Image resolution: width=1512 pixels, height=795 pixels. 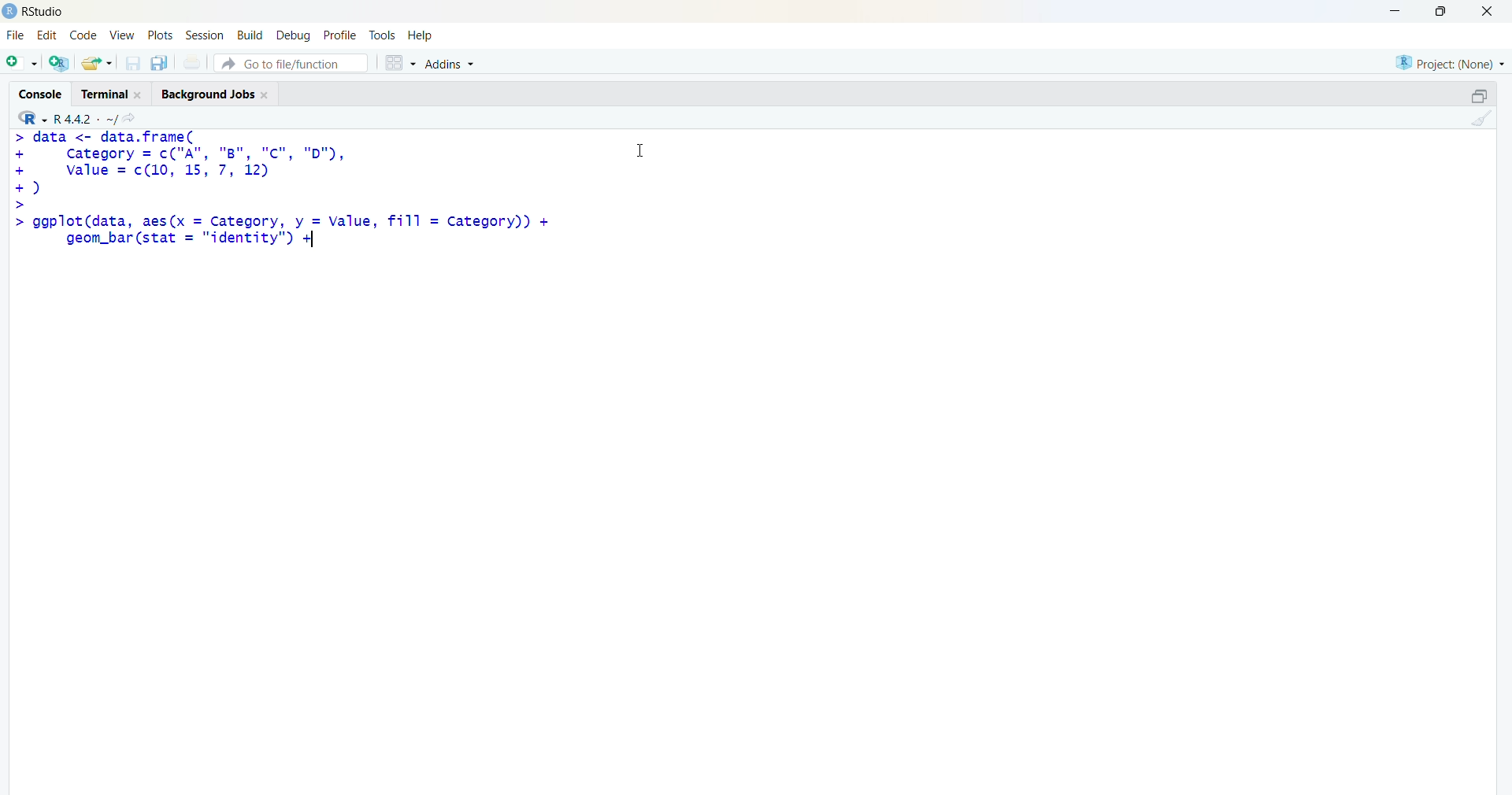 I want to click on logo, so click(x=10, y=11).